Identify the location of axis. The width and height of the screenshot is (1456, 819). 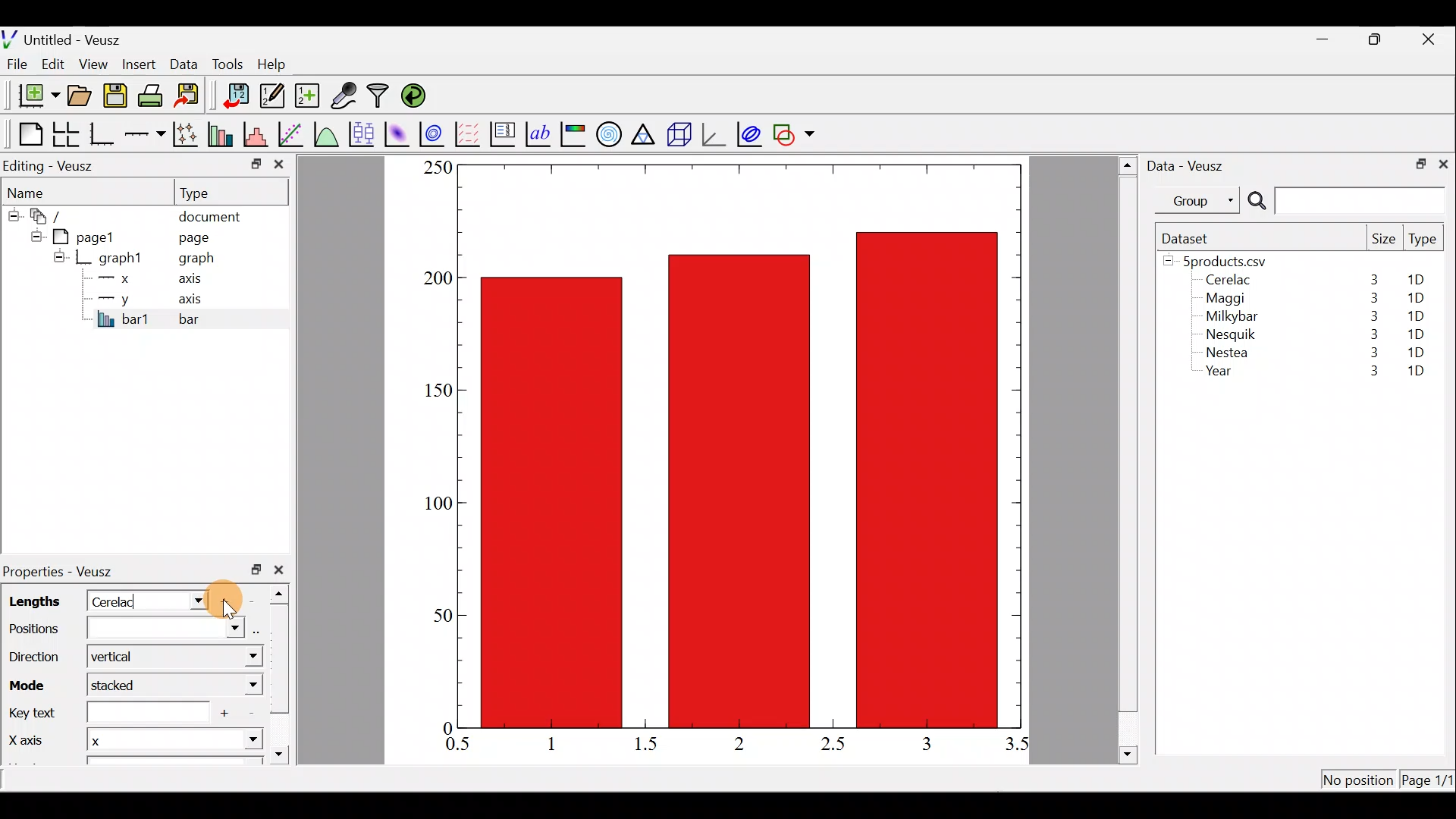
(197, 300).